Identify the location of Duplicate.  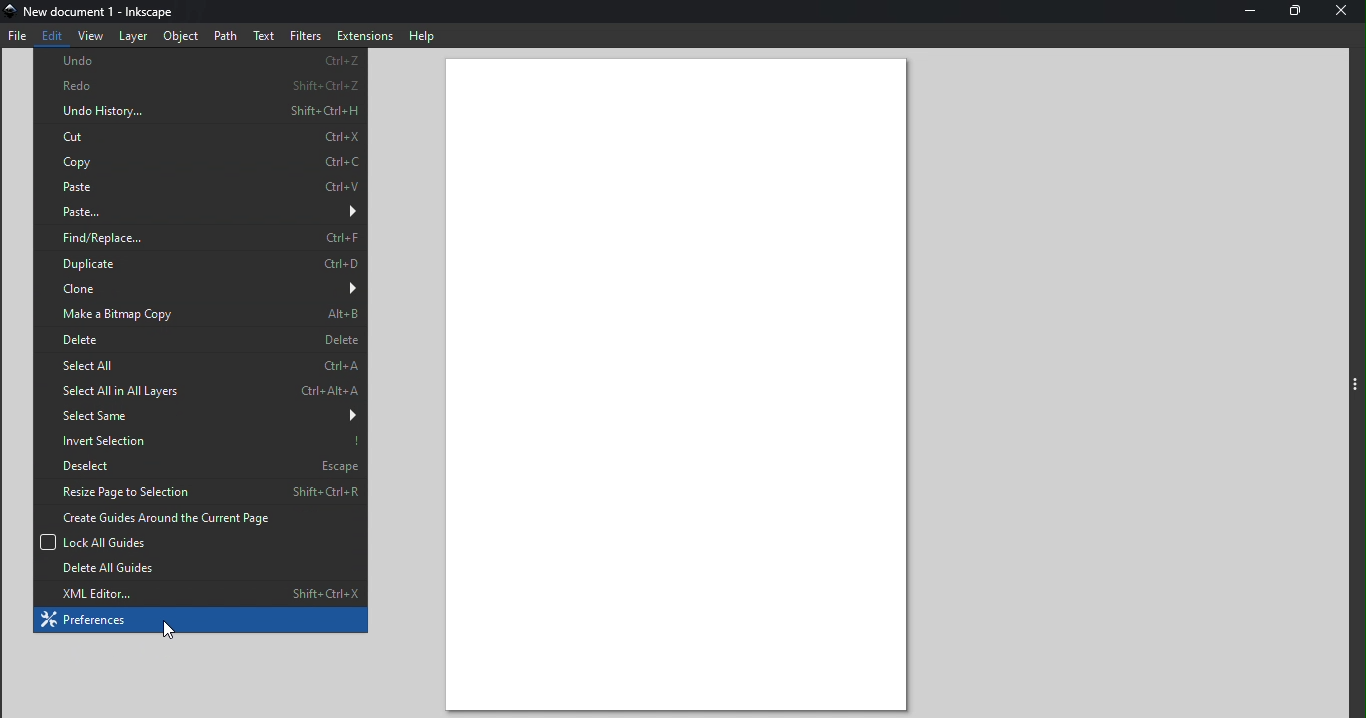
(204, 264).